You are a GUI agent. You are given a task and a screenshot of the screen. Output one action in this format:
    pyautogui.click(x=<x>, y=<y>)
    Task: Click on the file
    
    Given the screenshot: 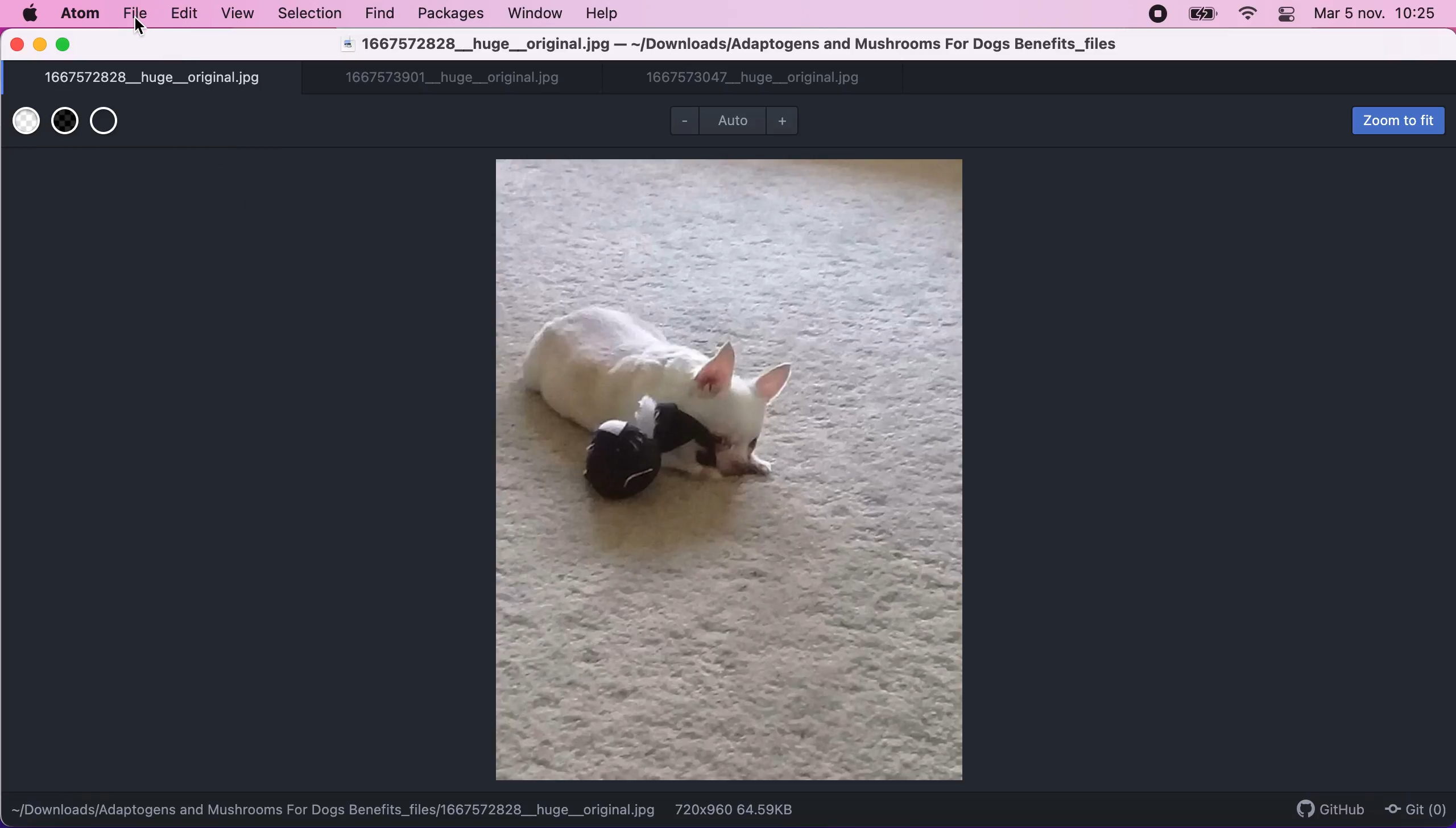 What is the action you would take?
    pyautogui.click(x=138, y=15)
    